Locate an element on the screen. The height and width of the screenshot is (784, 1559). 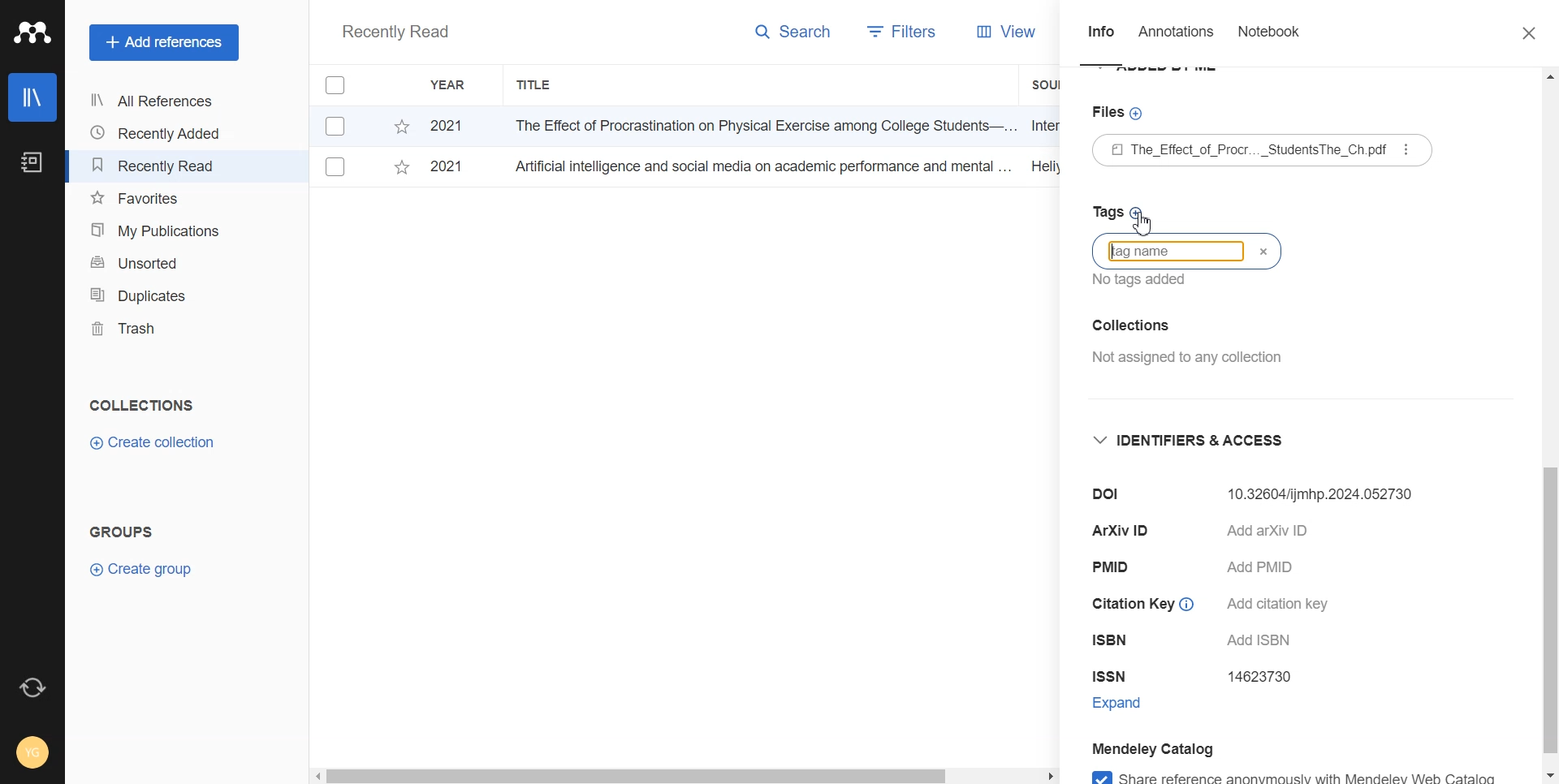
Create group is located at coordinates (142, 567).